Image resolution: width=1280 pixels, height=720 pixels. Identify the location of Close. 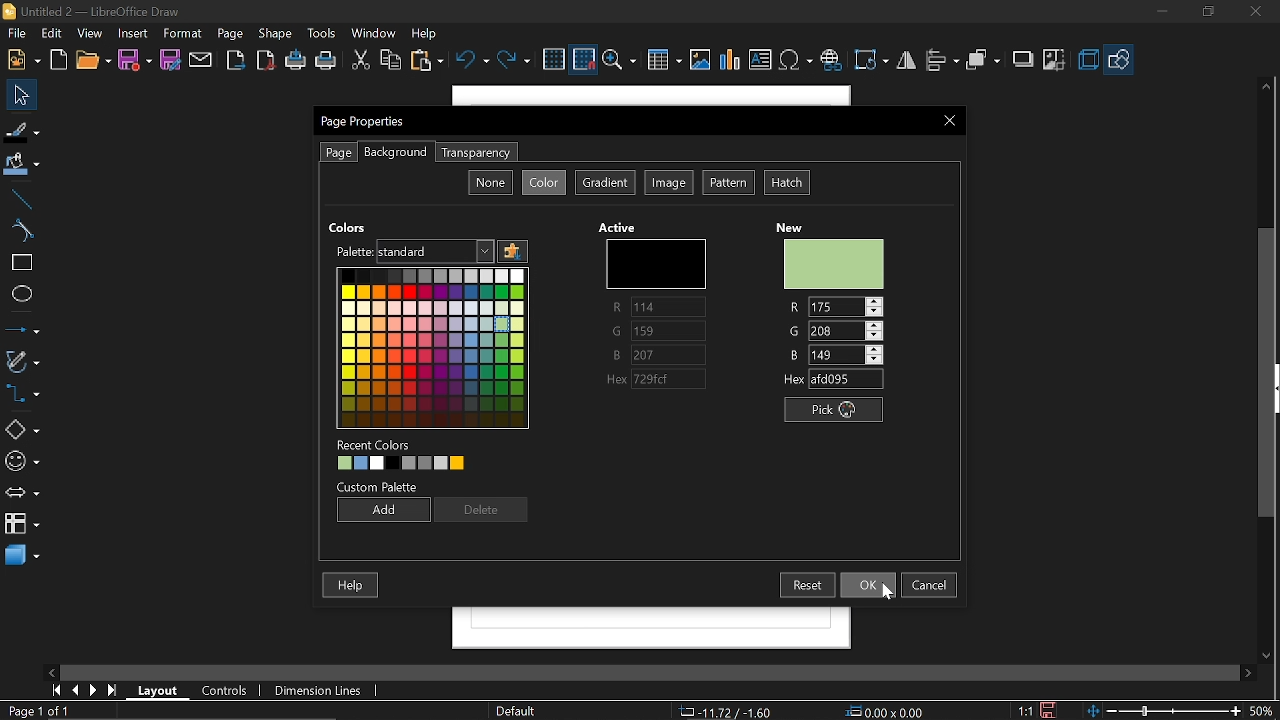
(950, 121).